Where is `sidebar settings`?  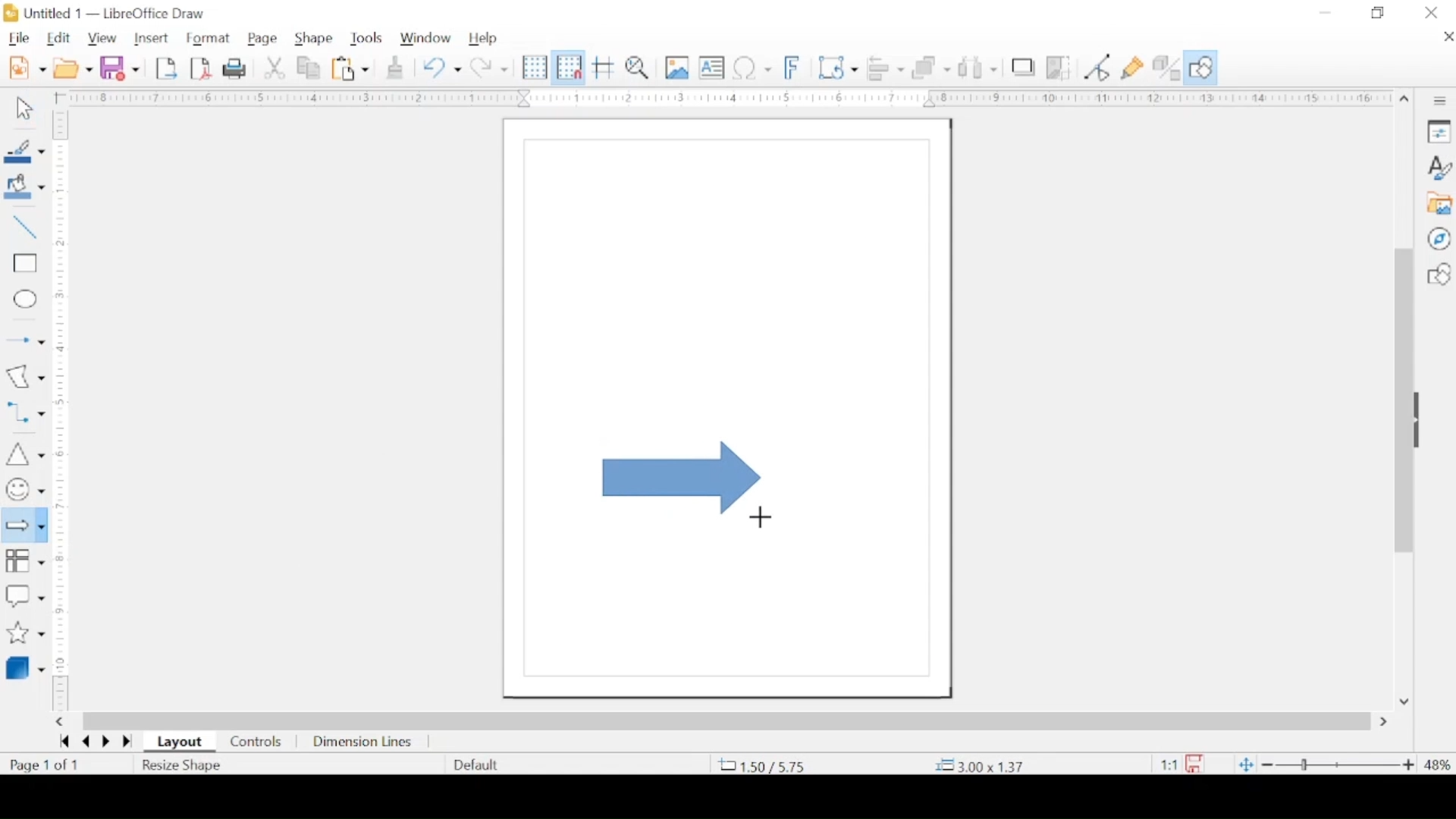 sidebar settings is located at coordinates (1442, 102).